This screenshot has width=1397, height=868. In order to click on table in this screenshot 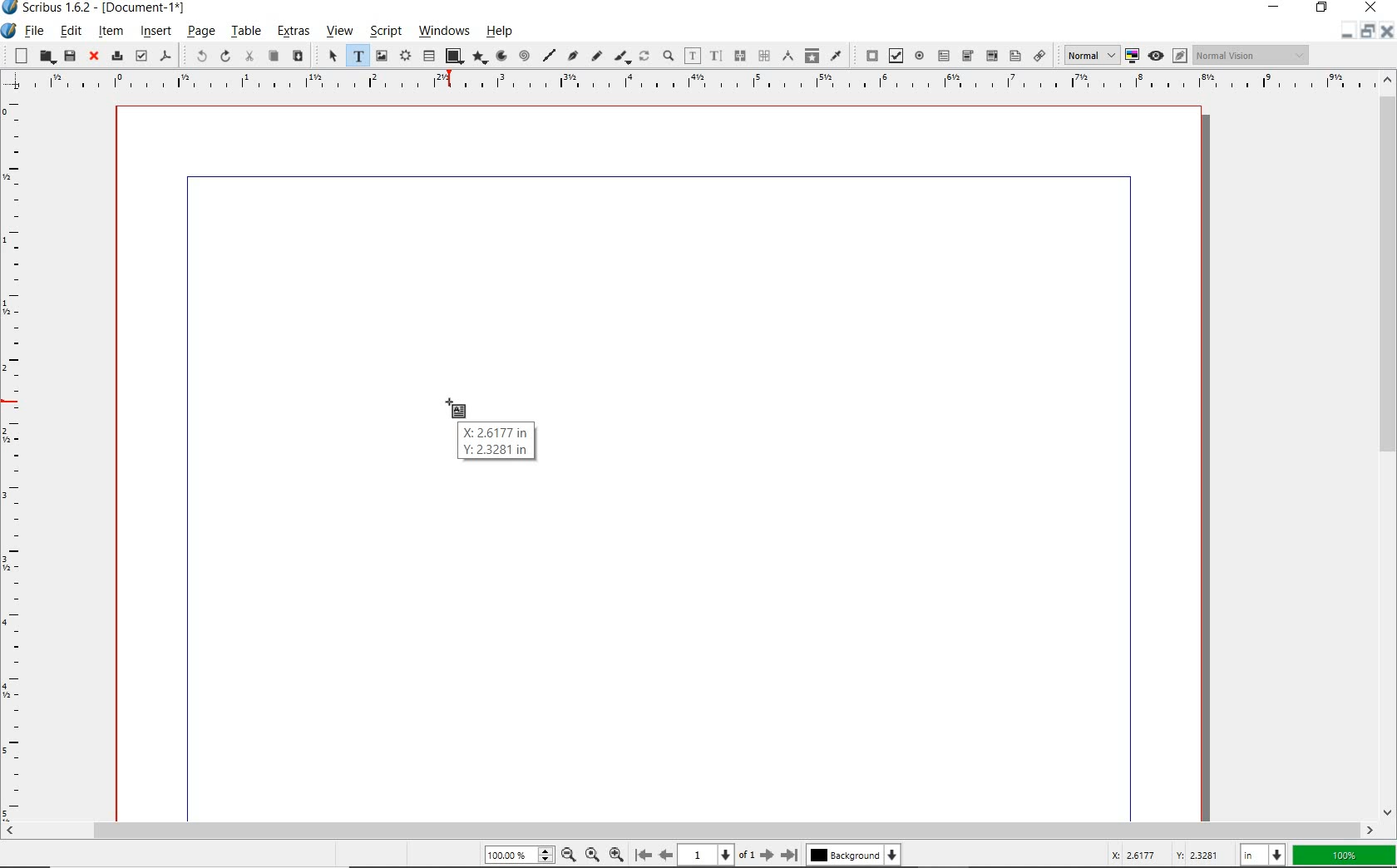, I will do `click(246, 32)`.